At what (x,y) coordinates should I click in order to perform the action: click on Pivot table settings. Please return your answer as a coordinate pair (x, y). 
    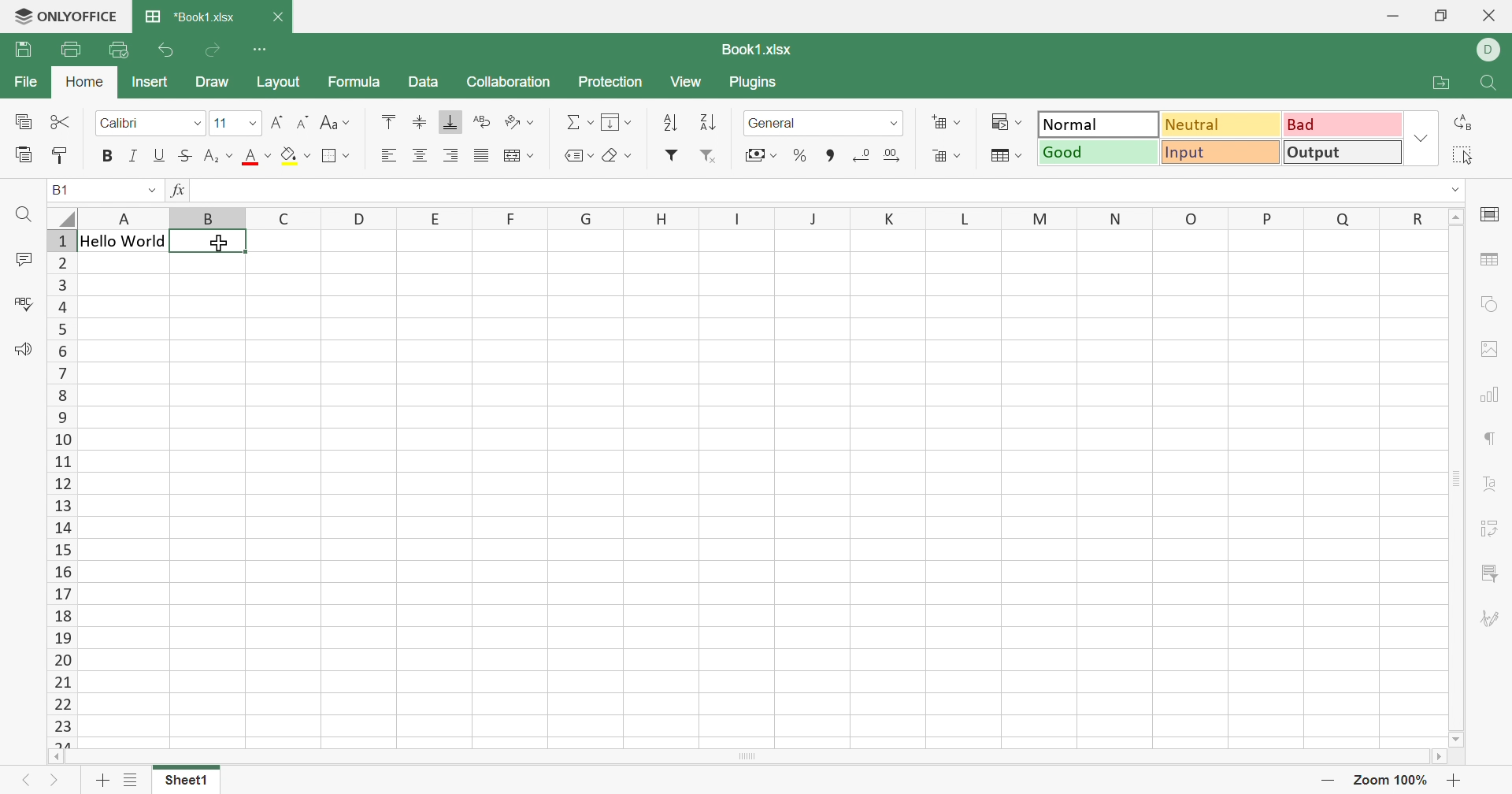
    Looking at the image, I should click on (1492, 530).